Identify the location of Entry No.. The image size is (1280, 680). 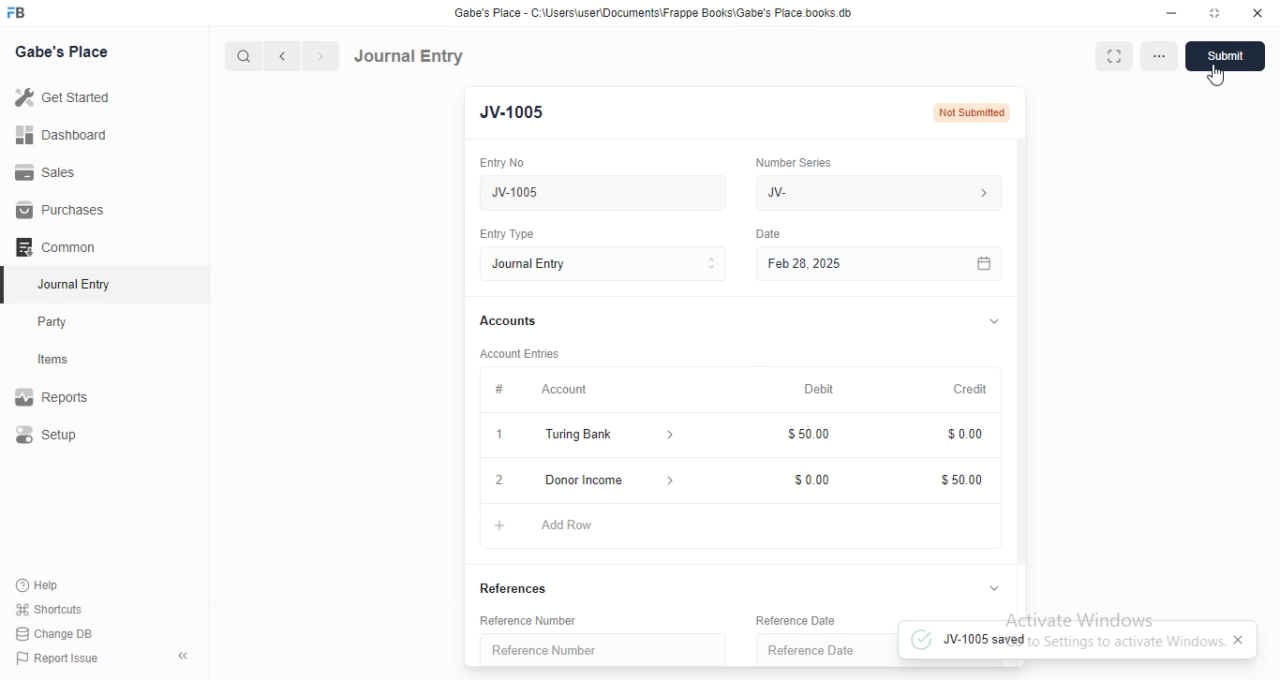
(508, 163).